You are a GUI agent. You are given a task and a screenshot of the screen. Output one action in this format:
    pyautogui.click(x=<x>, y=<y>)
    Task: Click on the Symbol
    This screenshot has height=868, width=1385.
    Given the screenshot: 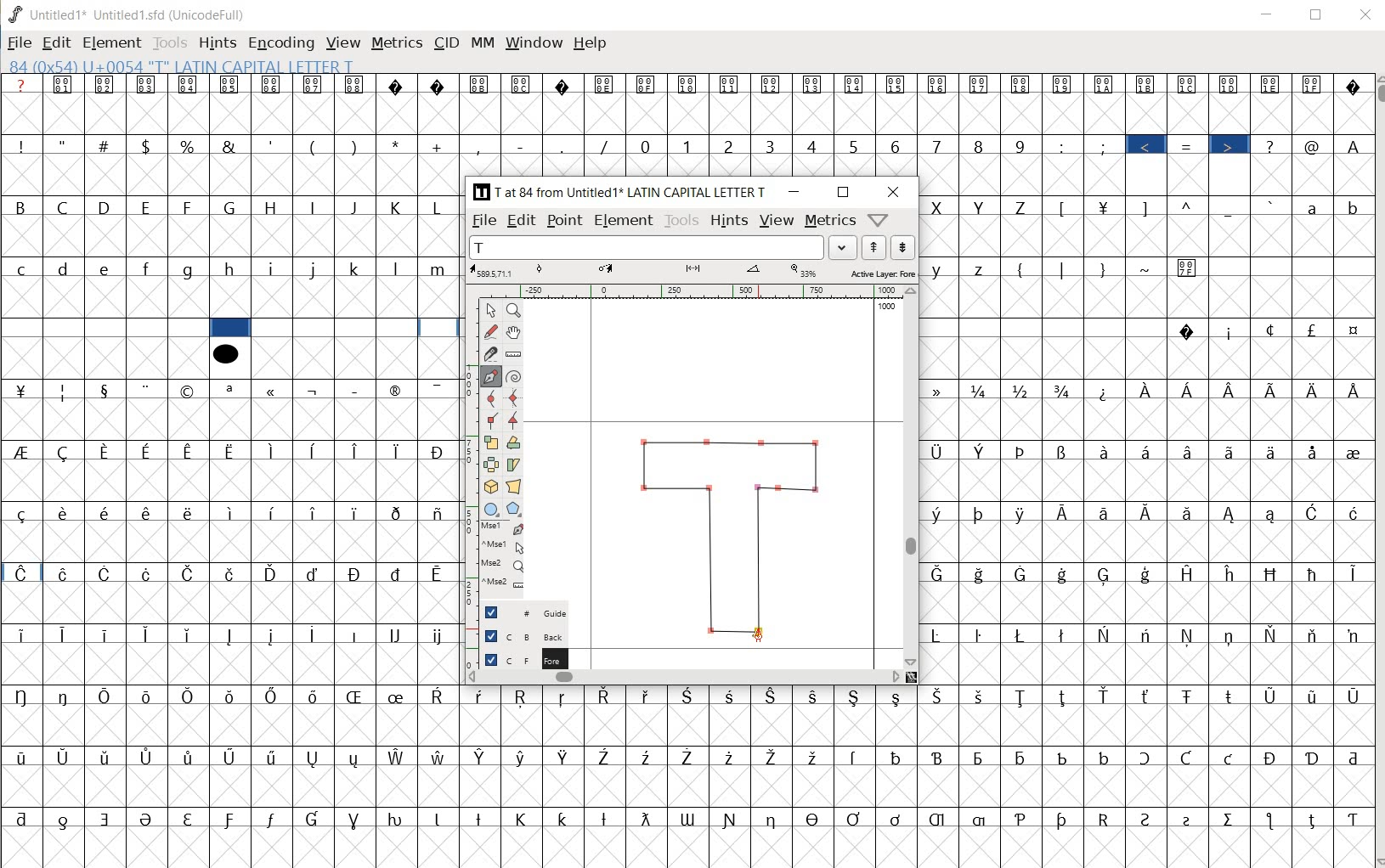 What is the action you would take?
    pyautogui.click(x=1021, y=451)
    